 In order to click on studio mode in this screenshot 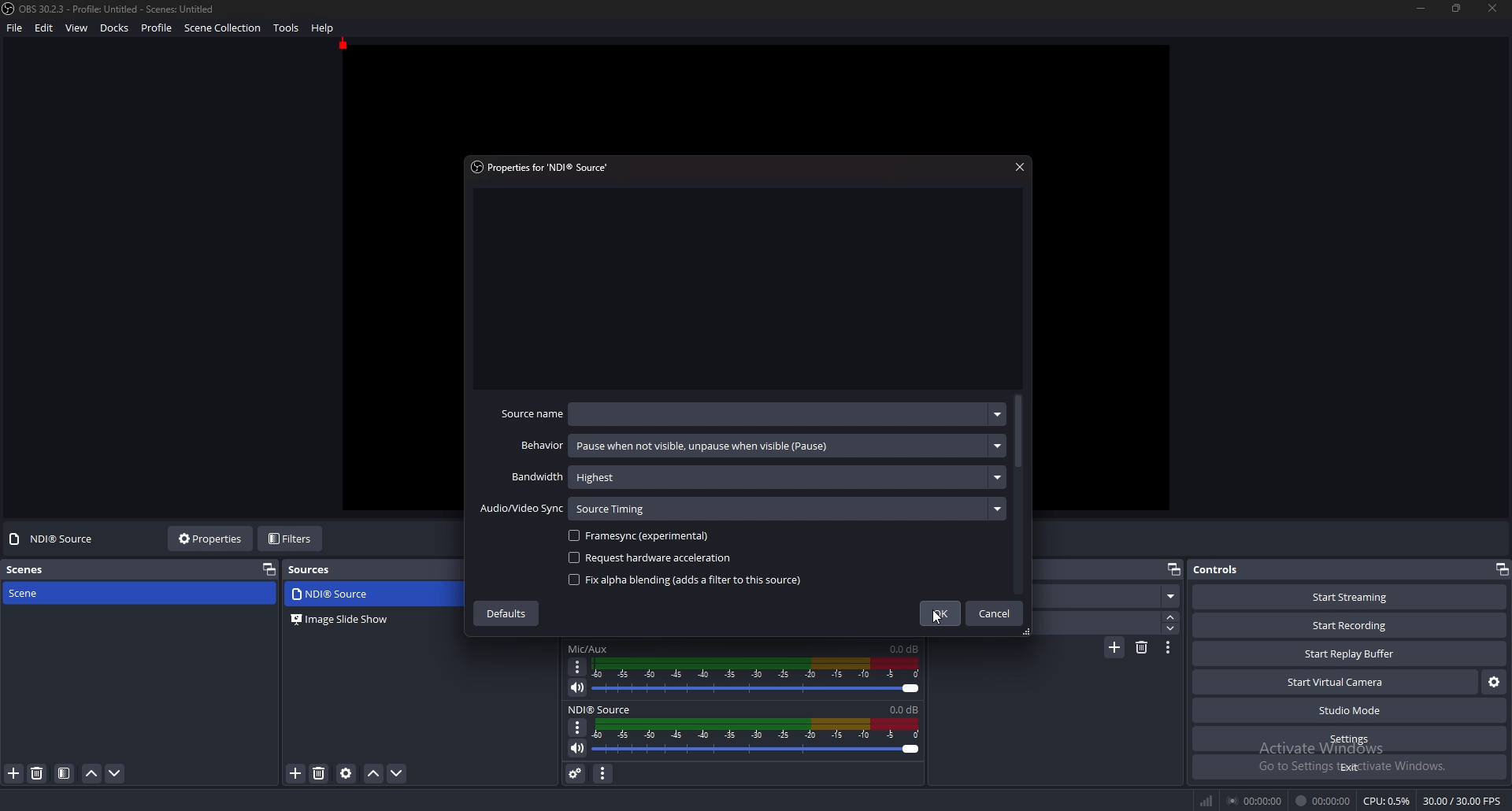, I will do `click(1349, 710)`.